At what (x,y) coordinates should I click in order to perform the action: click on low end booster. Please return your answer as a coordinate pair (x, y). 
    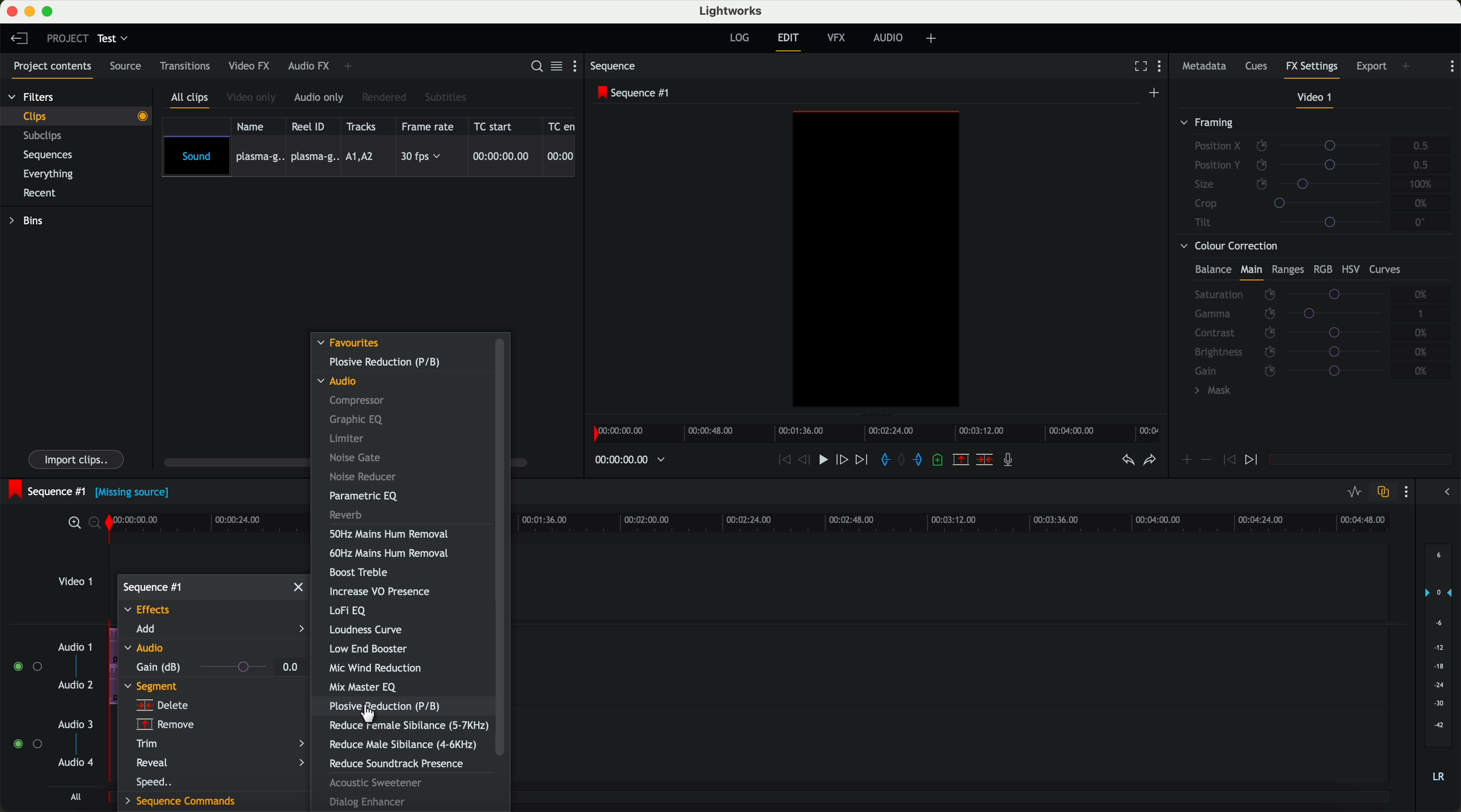
    Looking at the image, I should click on (371, 649).